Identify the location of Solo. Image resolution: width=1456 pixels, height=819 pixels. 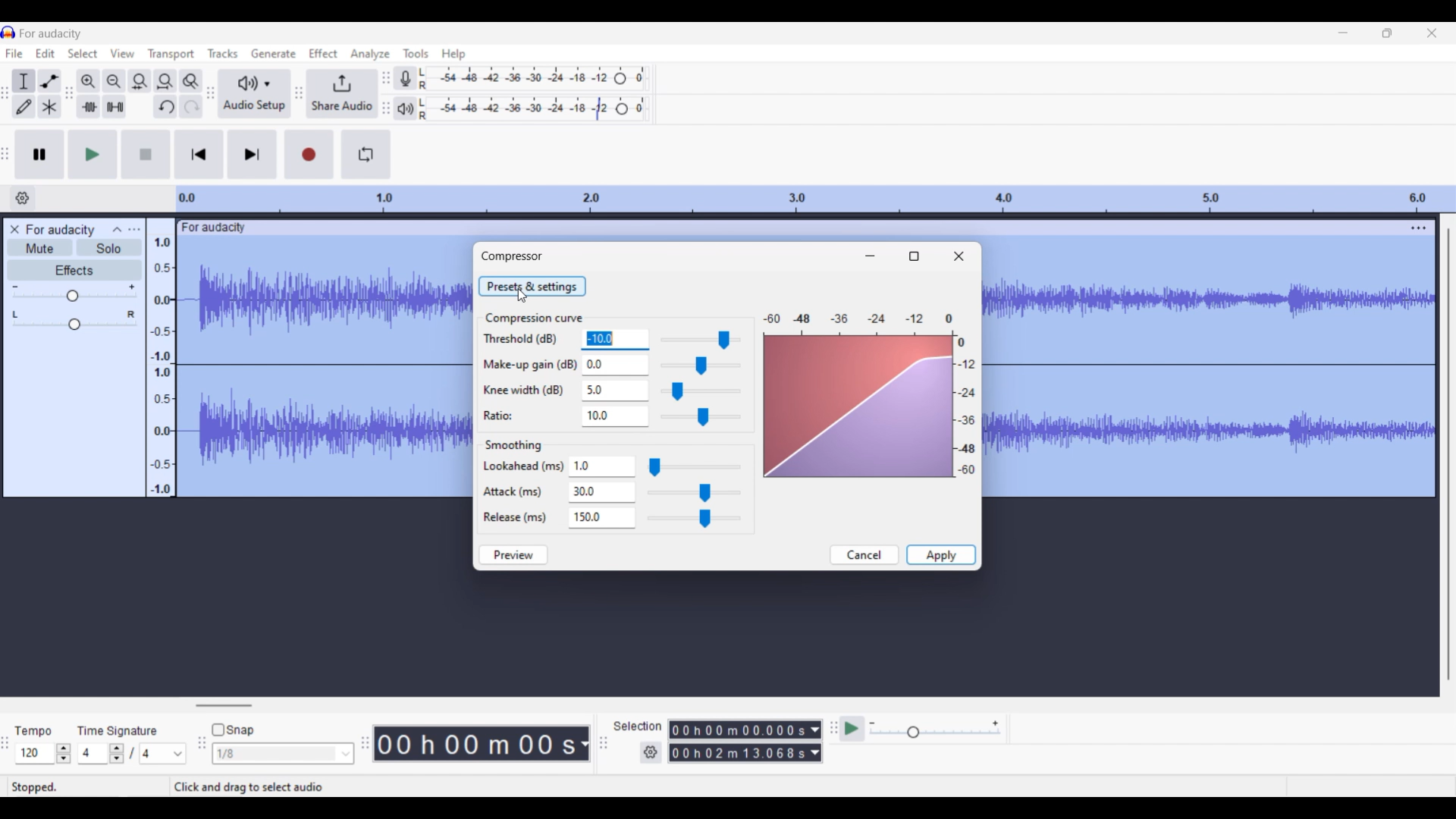
(109, 248).